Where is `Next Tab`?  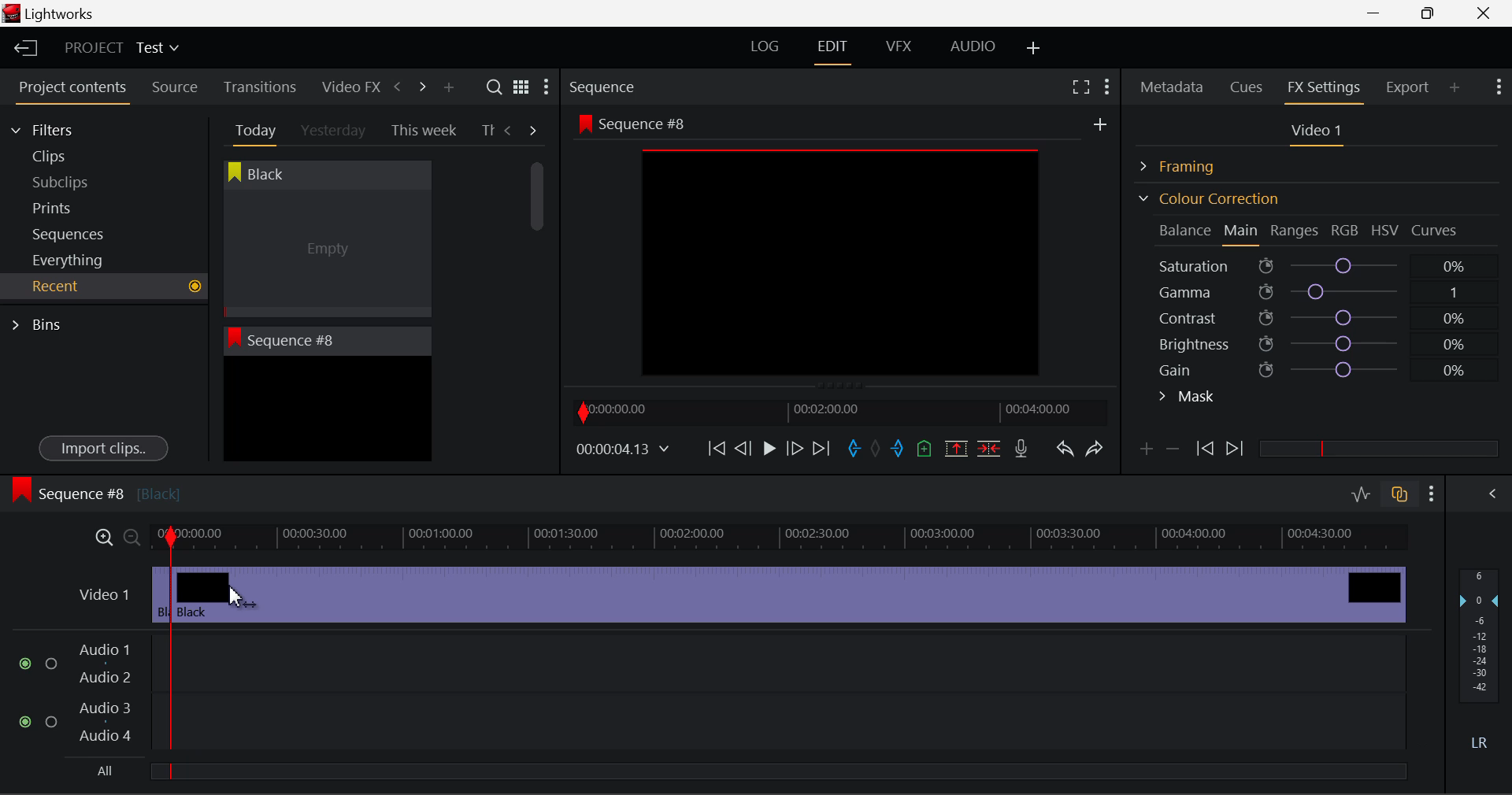 Next Tab is located at coordinates (534, 129).